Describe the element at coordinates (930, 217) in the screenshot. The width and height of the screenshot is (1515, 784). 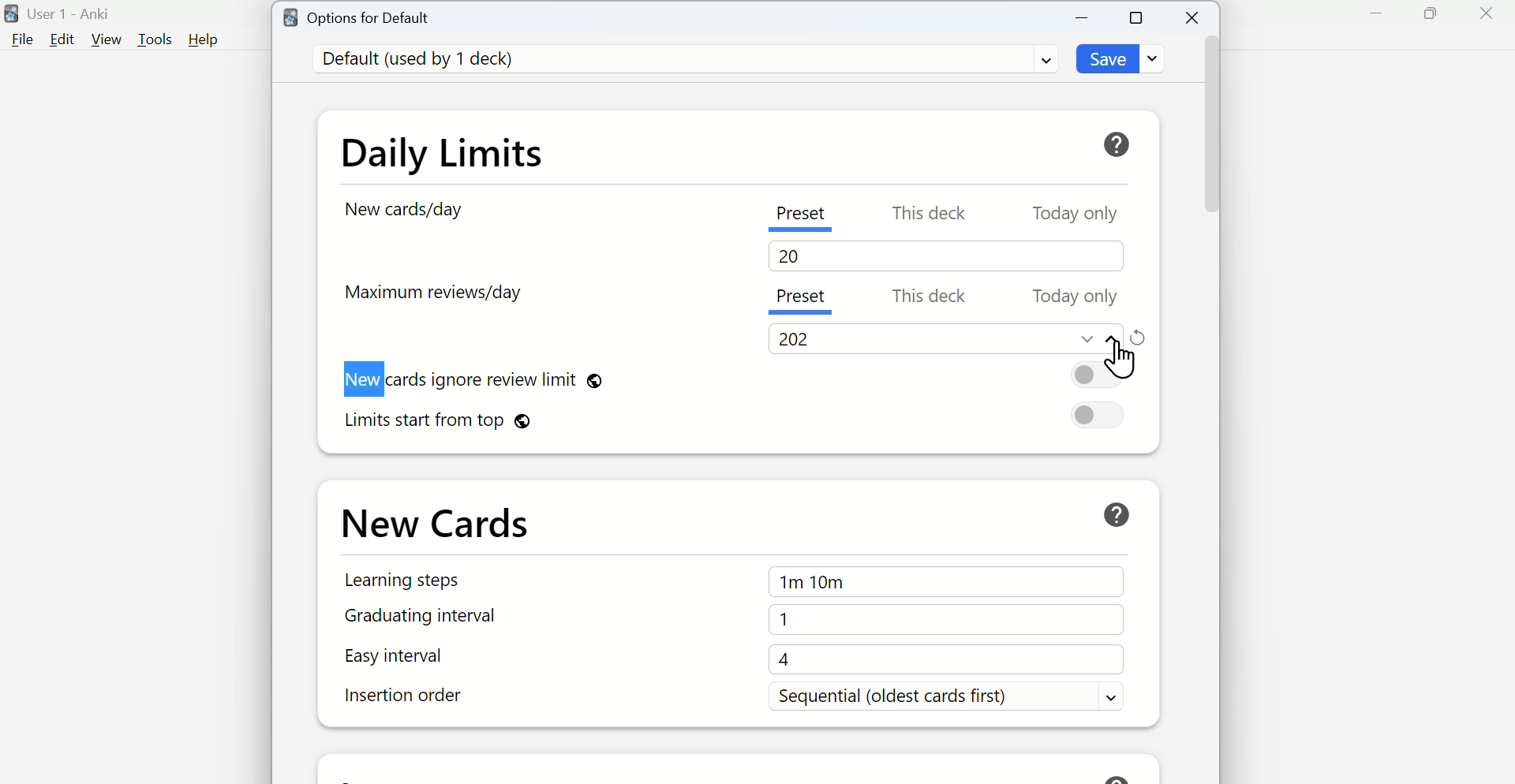
I see `This deck` at that location.